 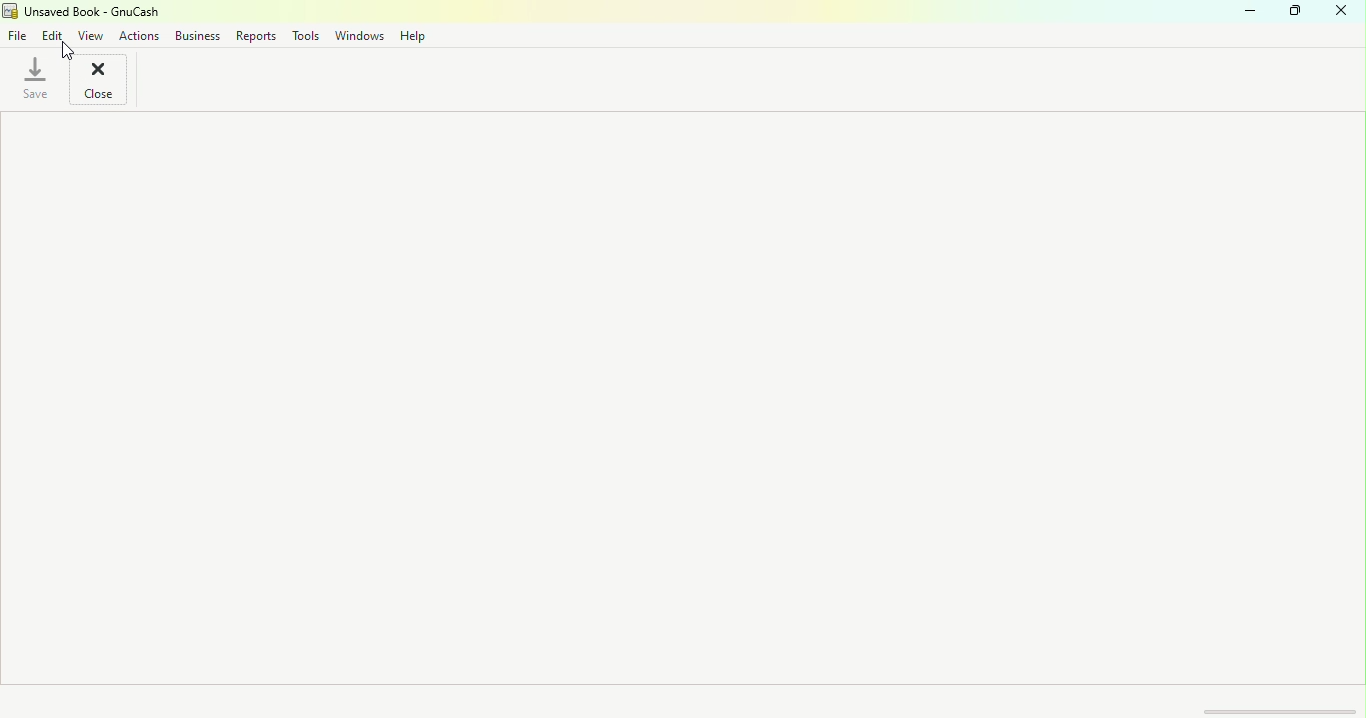 I want to click on Minimize, so click(x=1253, y=11).